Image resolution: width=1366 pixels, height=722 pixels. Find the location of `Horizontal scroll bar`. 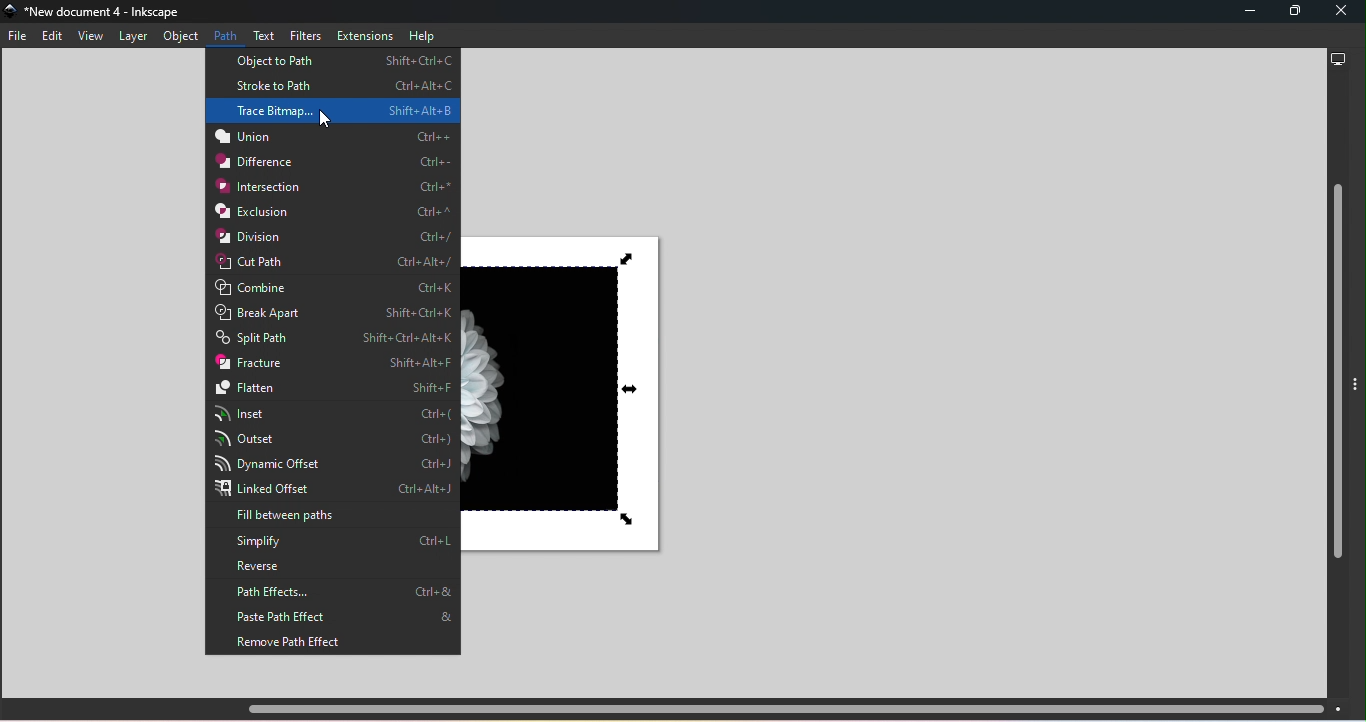

Horizontal scroll bar is located at coordinates (674, 709).